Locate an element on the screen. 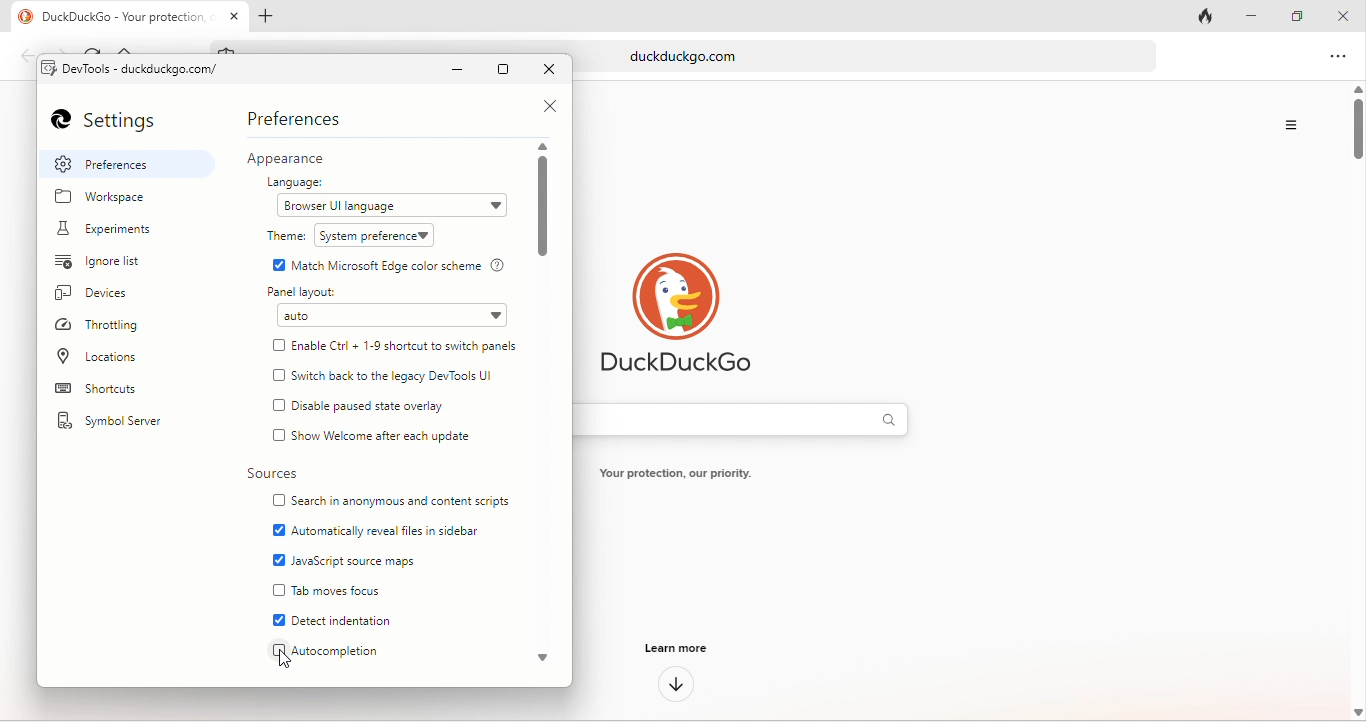 This screenshot has width=1366, height=722. preferences is located at coordinates (130, 164).